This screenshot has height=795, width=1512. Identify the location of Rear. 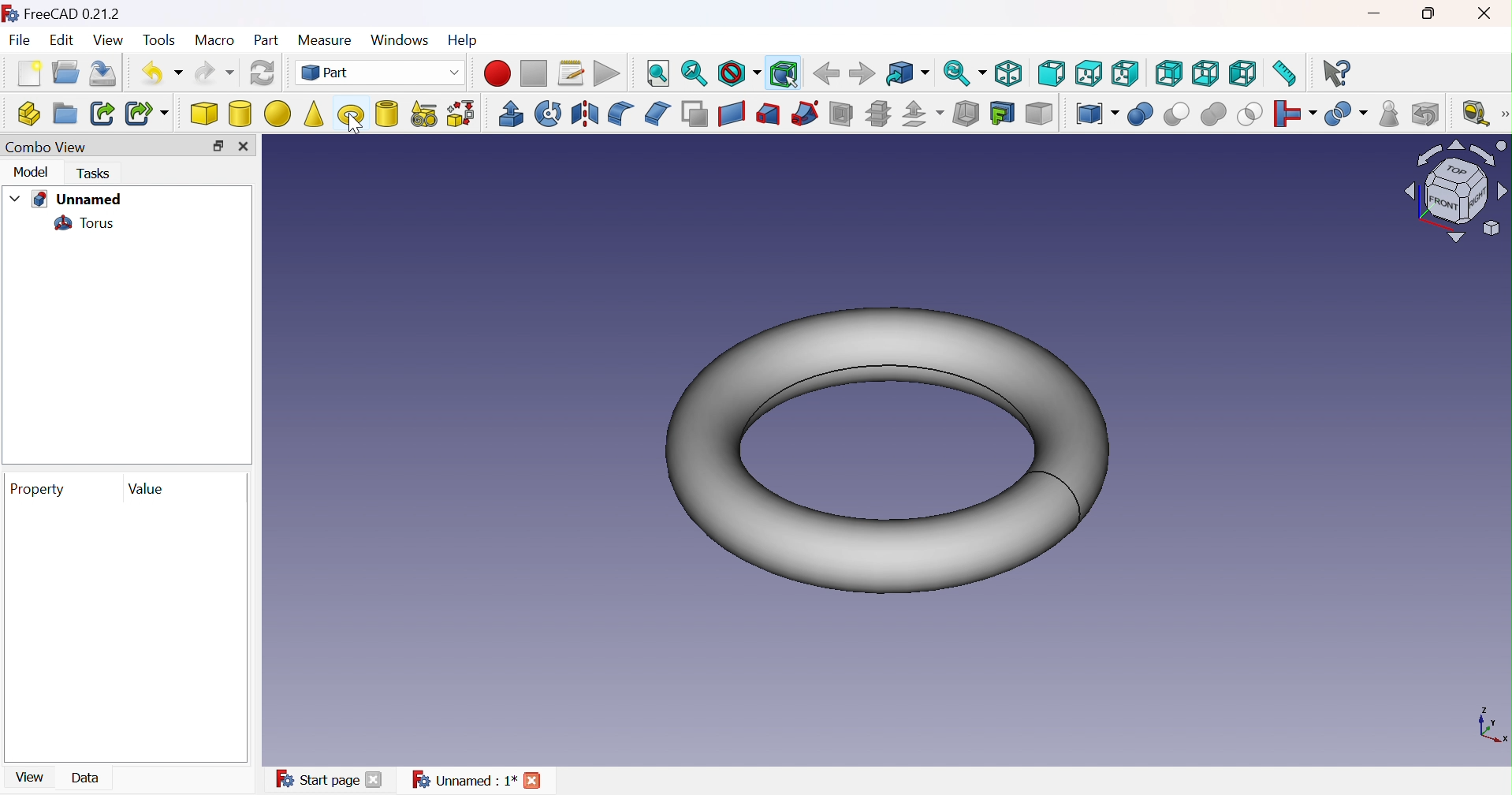
(1168, 74).